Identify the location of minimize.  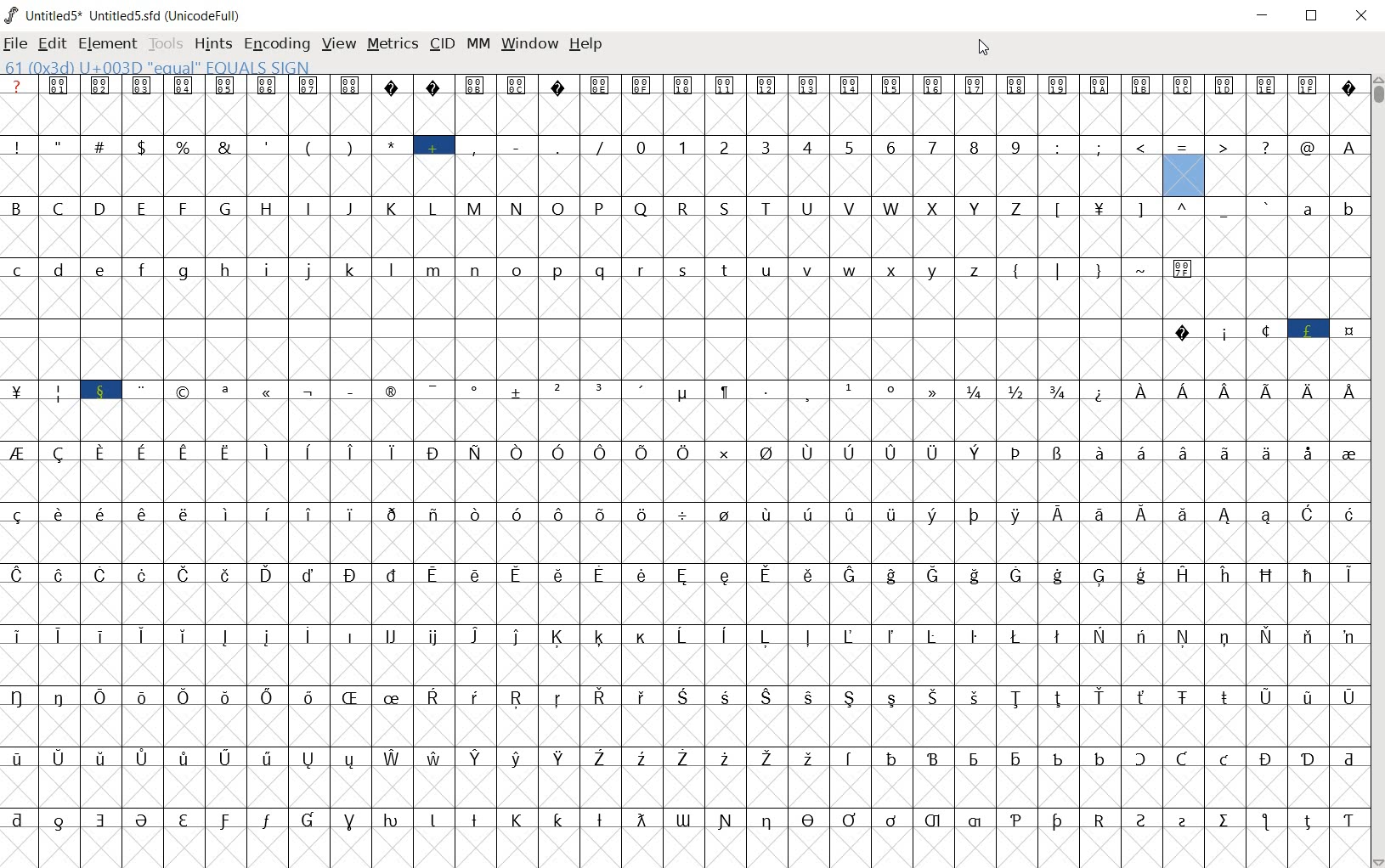
(1263, 15).